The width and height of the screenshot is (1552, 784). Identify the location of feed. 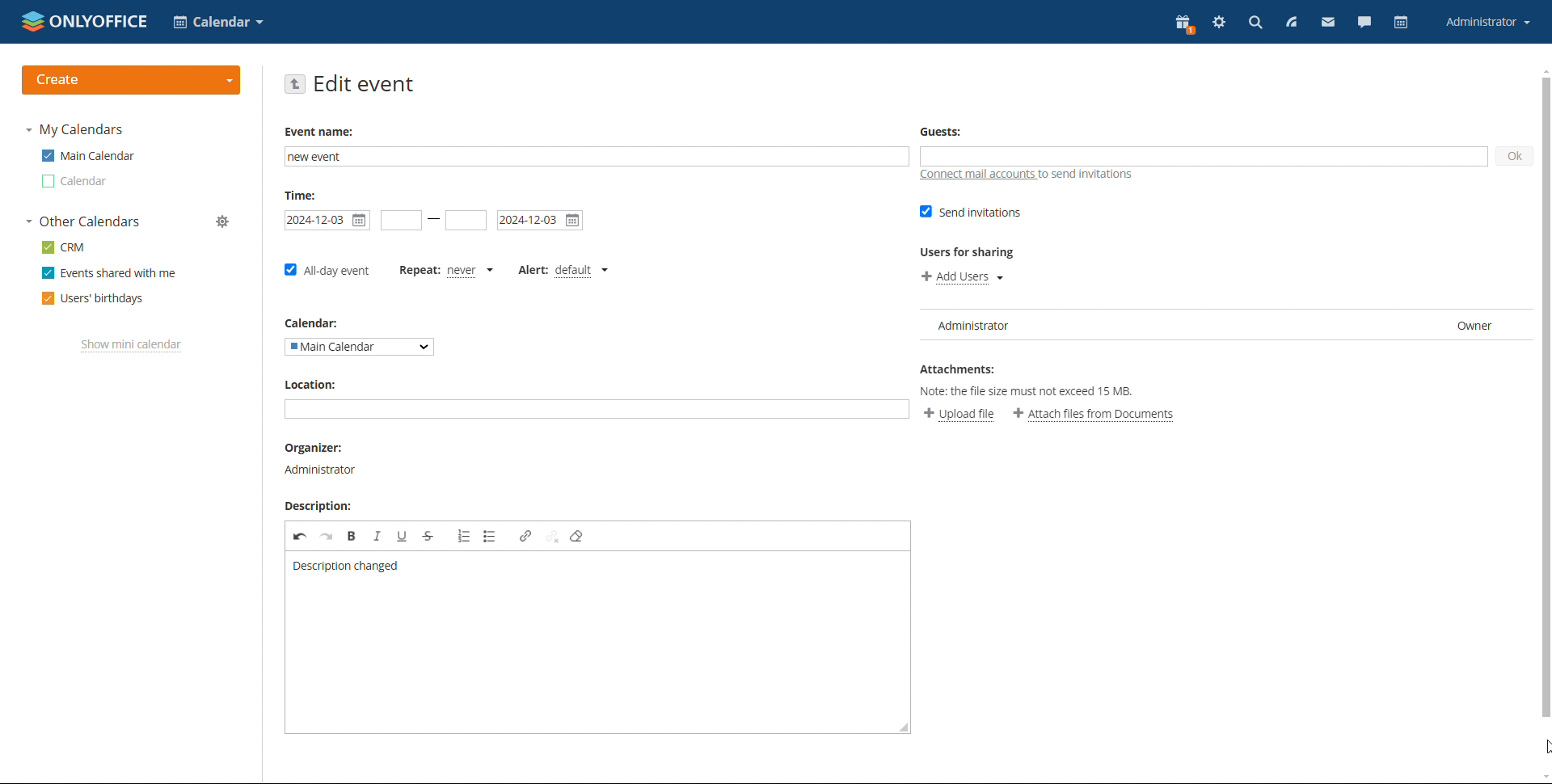
(1289, 23).